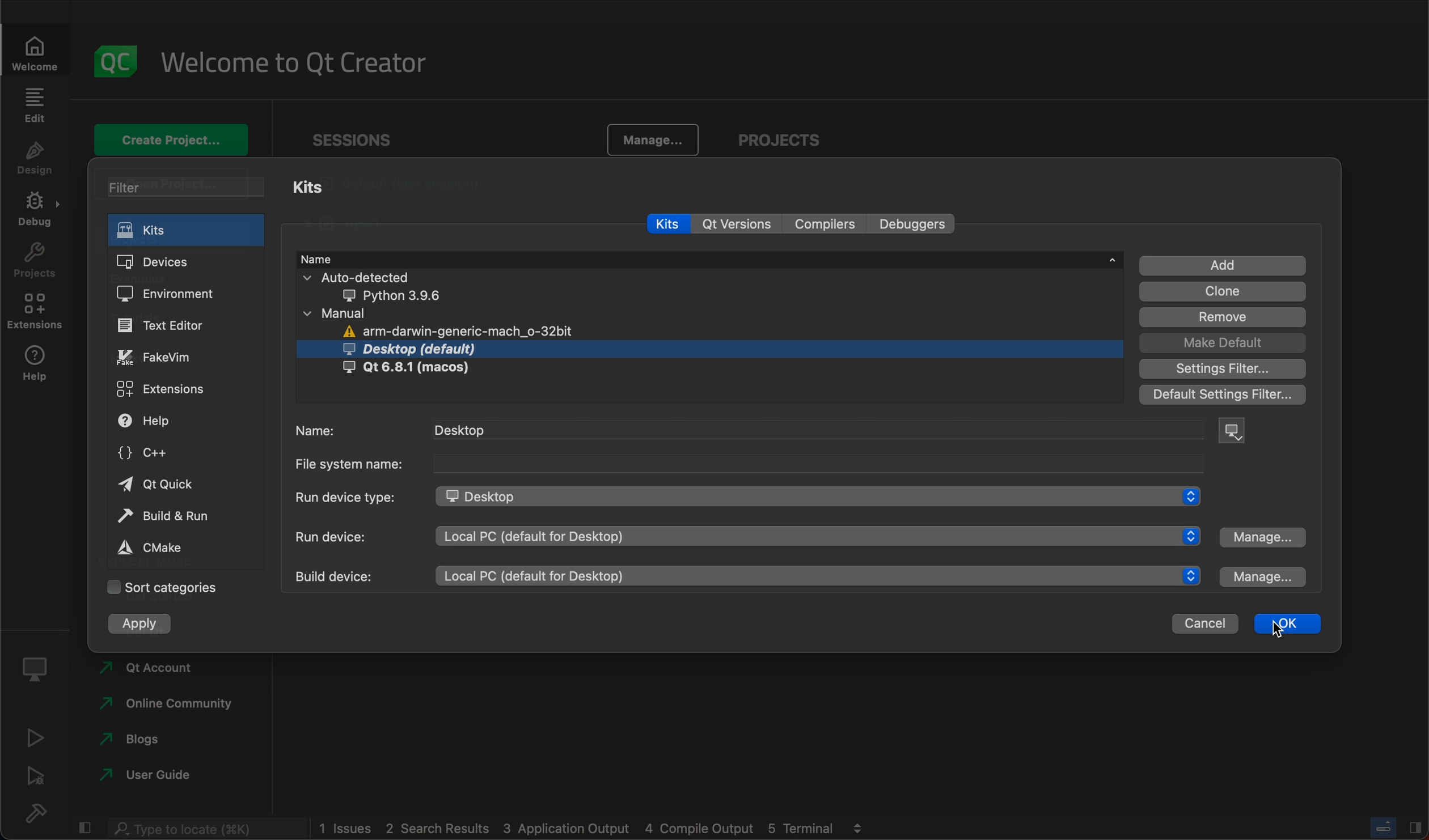 The height and width of the screenshot is (840, 1429). Describe the element at coordinates (36, 817) in the screenshot. I see `build` at that location.